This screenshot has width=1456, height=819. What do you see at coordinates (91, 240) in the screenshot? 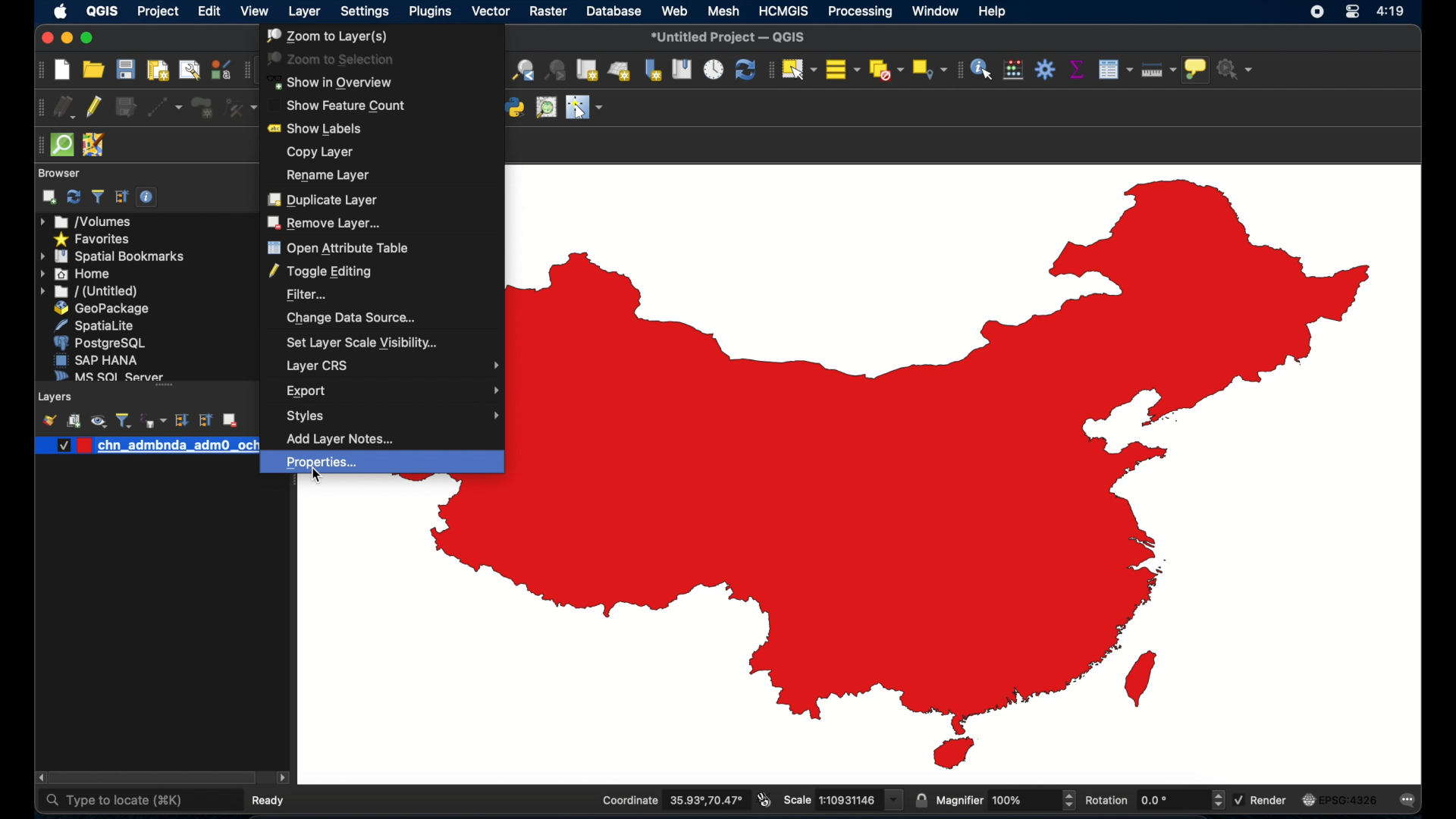
I see `favorites` at bounding box center [91, 240].